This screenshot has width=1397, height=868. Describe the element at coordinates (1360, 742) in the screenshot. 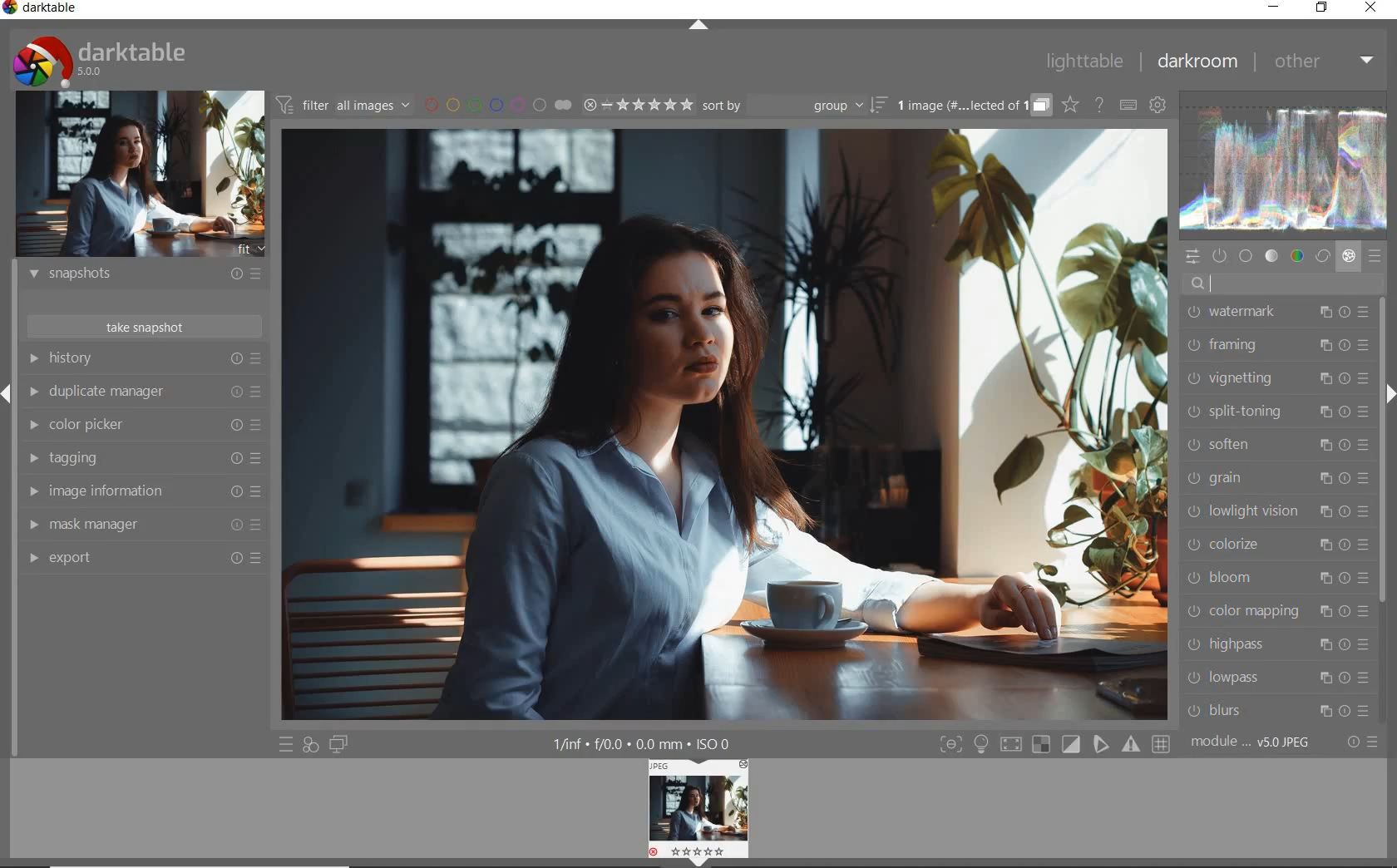

I see `reset or presets and preferences` at that location.